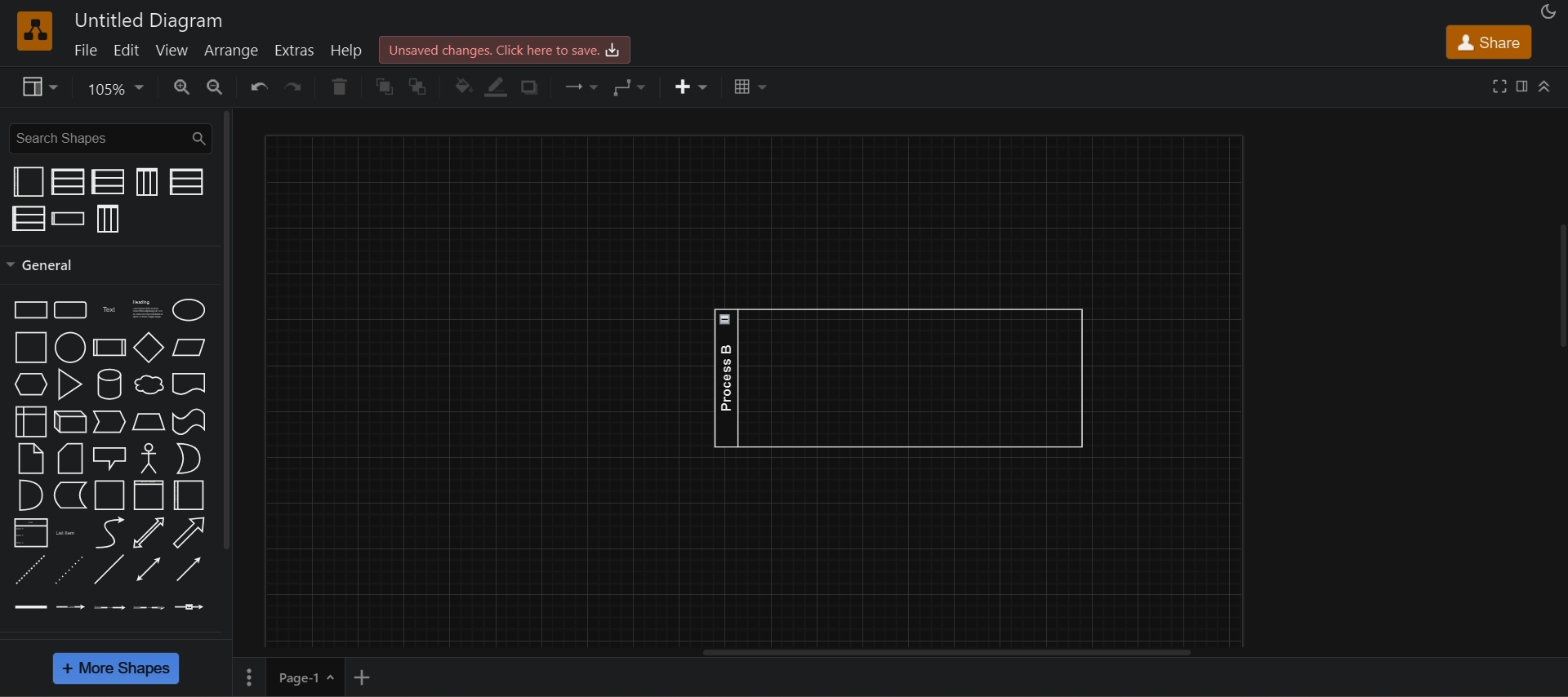 This screenshot has height=697, width=1568. What do you see at coordinates (70, 347) in the screenshot?
I see `circle` at bounding box center [70, 347].